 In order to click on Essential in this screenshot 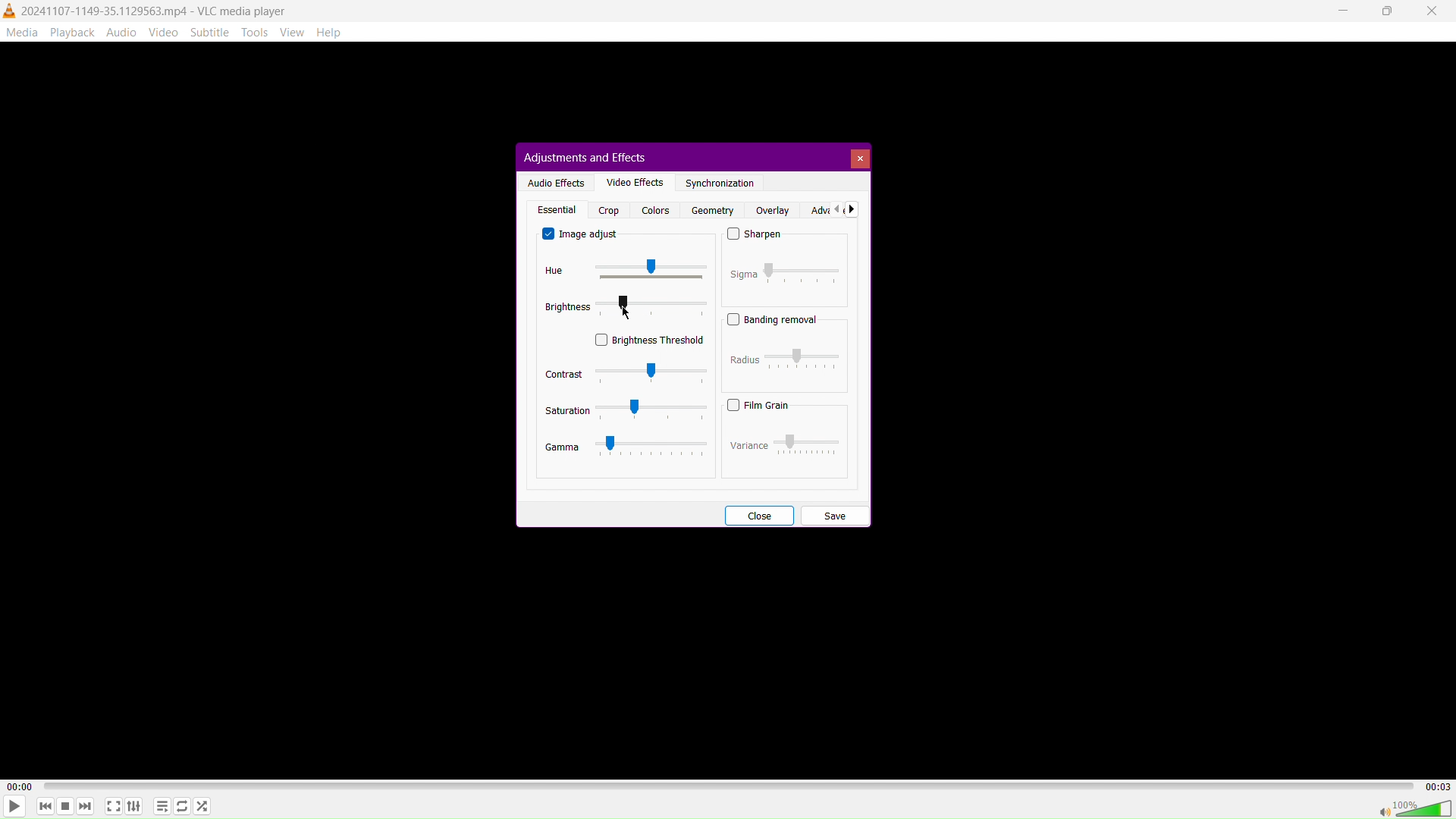, I will do `click(555, 209)`.